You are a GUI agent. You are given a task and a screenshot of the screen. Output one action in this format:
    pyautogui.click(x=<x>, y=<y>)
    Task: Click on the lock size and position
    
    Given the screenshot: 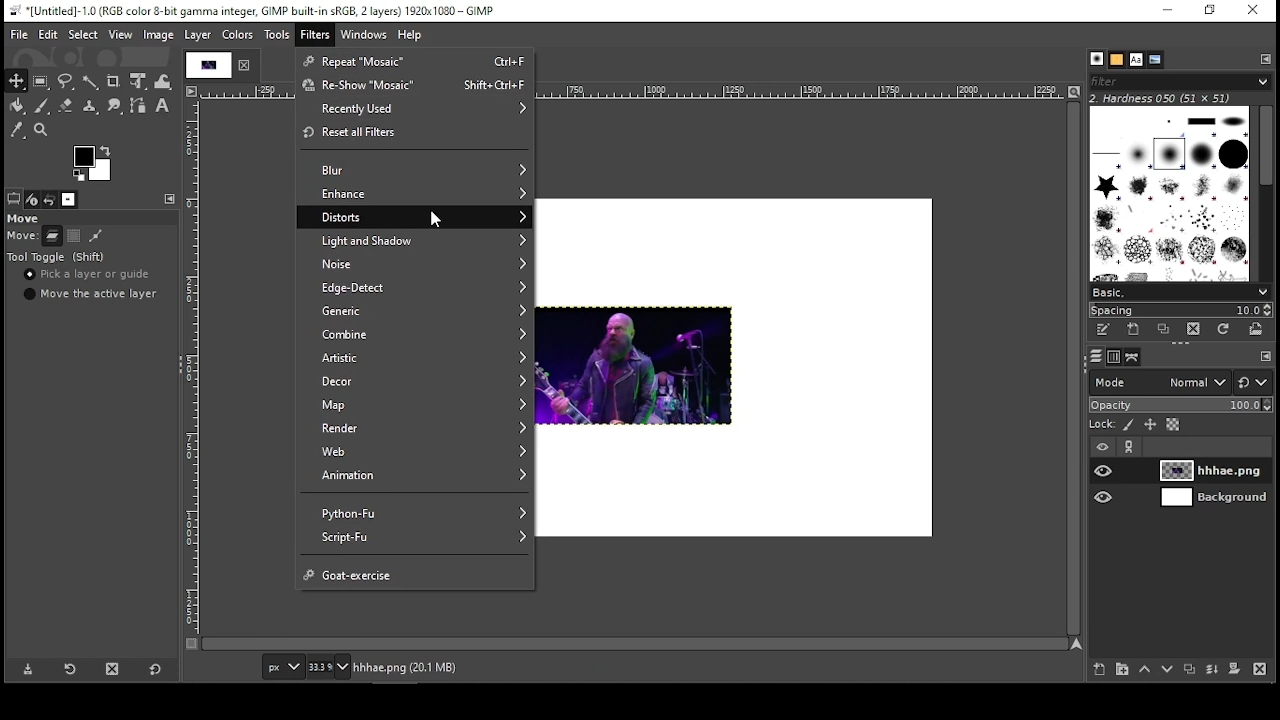 What is the action you would take?
    pyautogui.click(x=1152, y=423)
    